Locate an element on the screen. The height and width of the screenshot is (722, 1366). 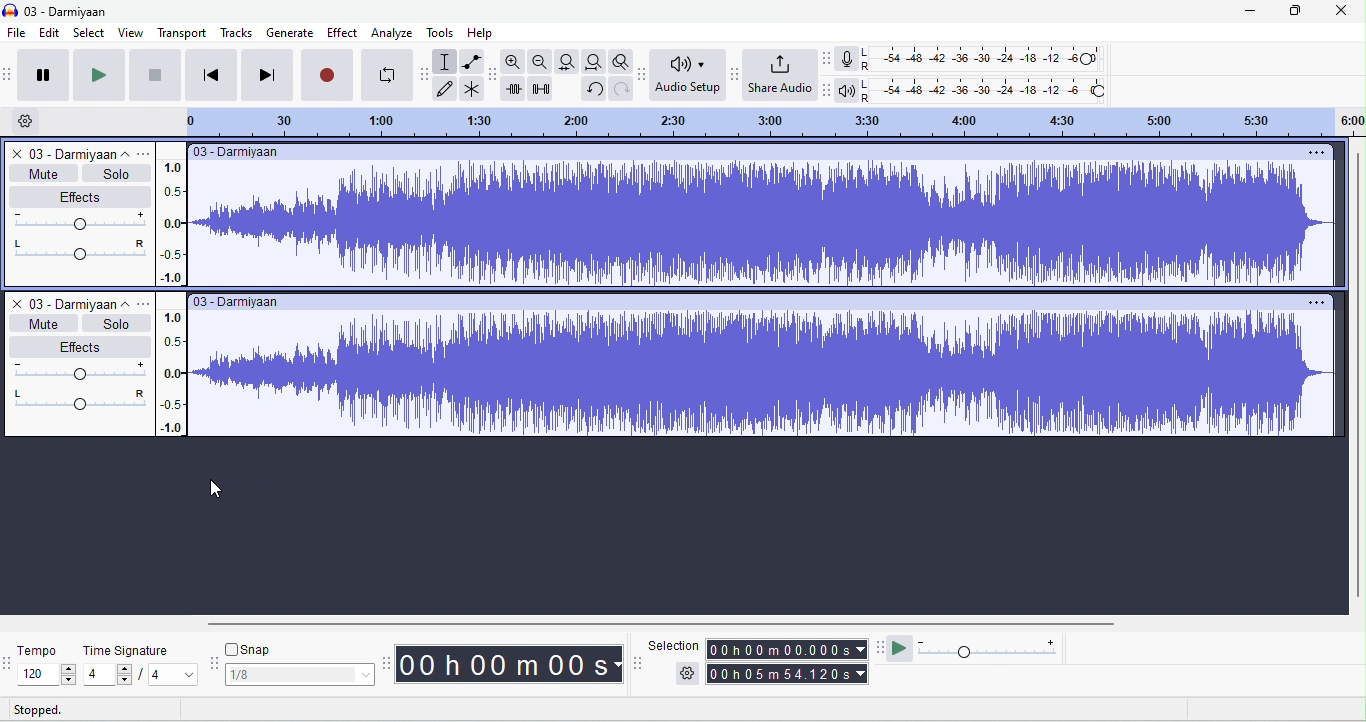
zoom out is located at coordinates (540, 61).